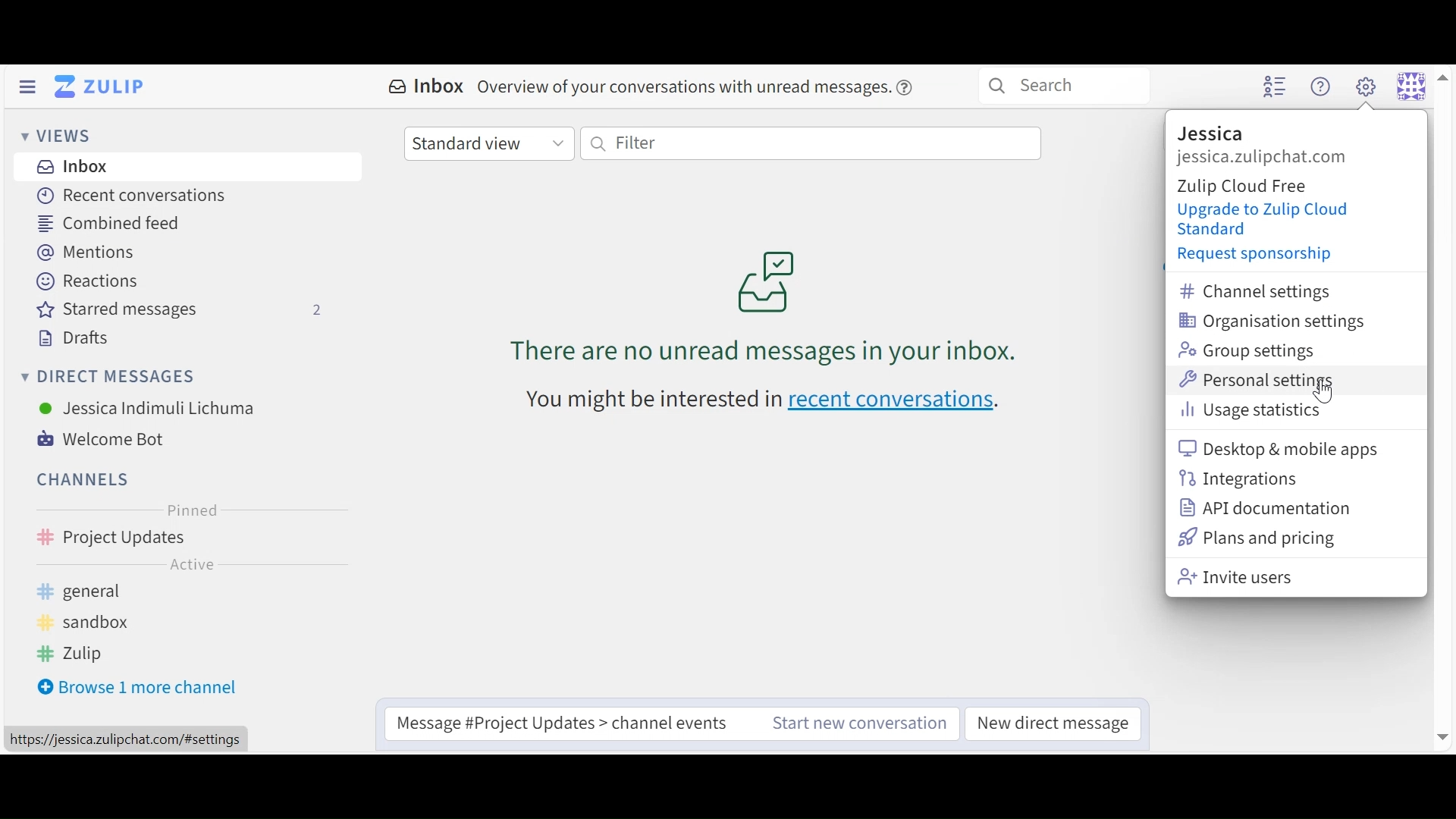 Image resolution: width=1456 pixels, height=819 pixels. Describe the element at coordinates (858, 723) in the screenshot. I see `Start new message` at that location.